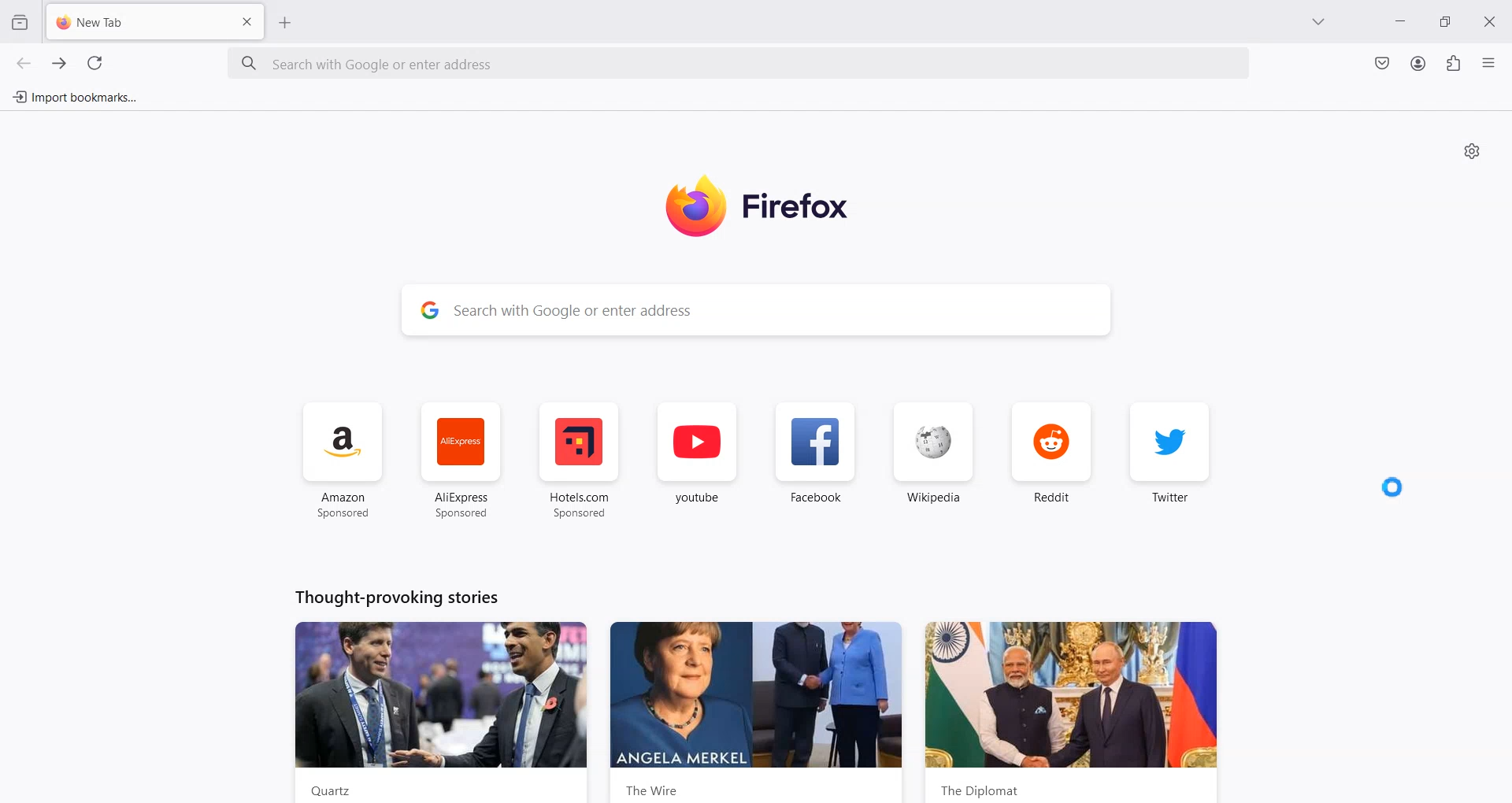 The width and height of the screenshot is (1512, 803). Describe the element at coordinates (1494, 20) in the screenshot. I see `Close` at that location.